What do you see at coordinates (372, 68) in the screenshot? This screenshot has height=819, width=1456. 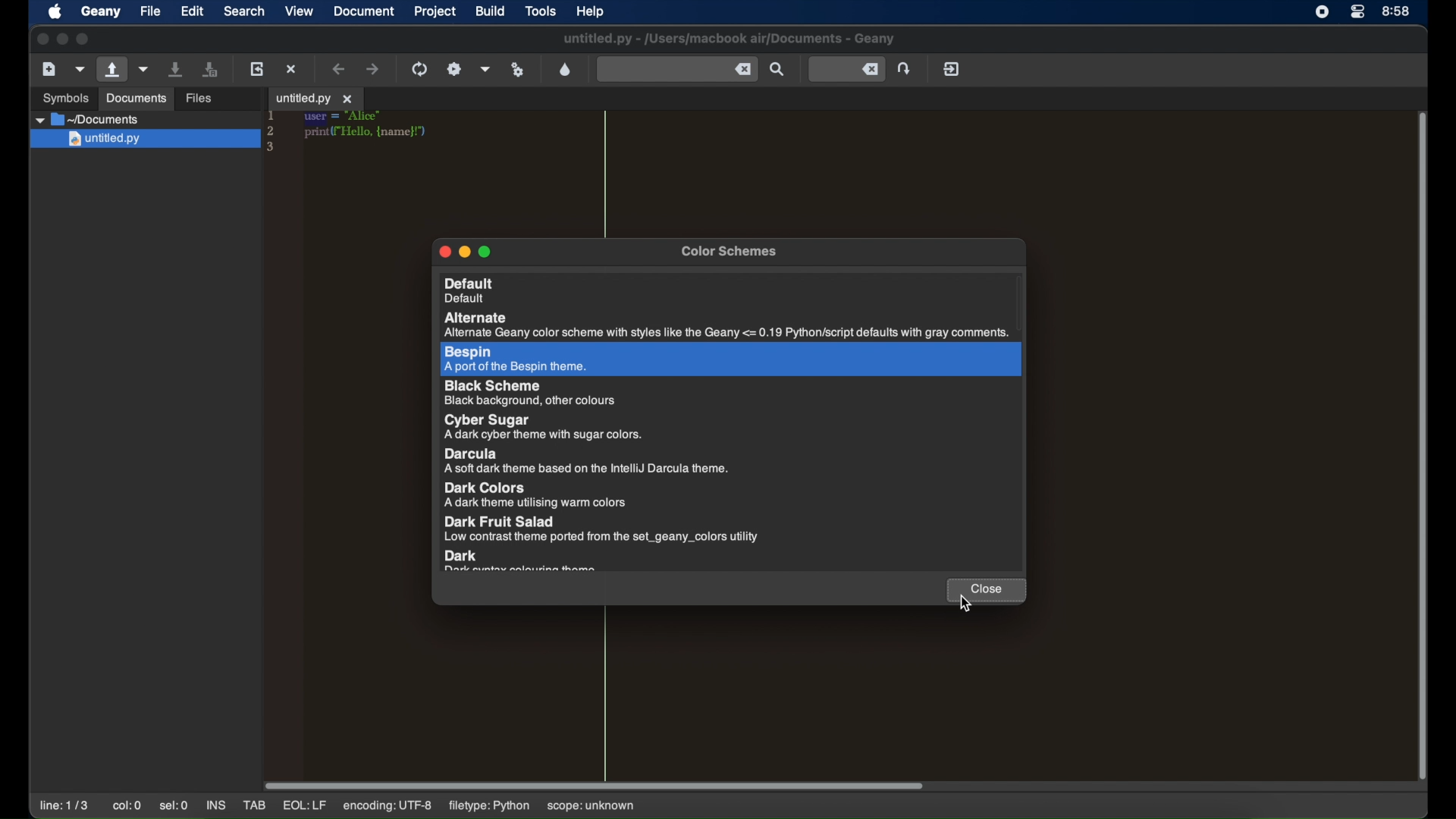 I see `navigate forward a location` at bounding box center [372, 68].